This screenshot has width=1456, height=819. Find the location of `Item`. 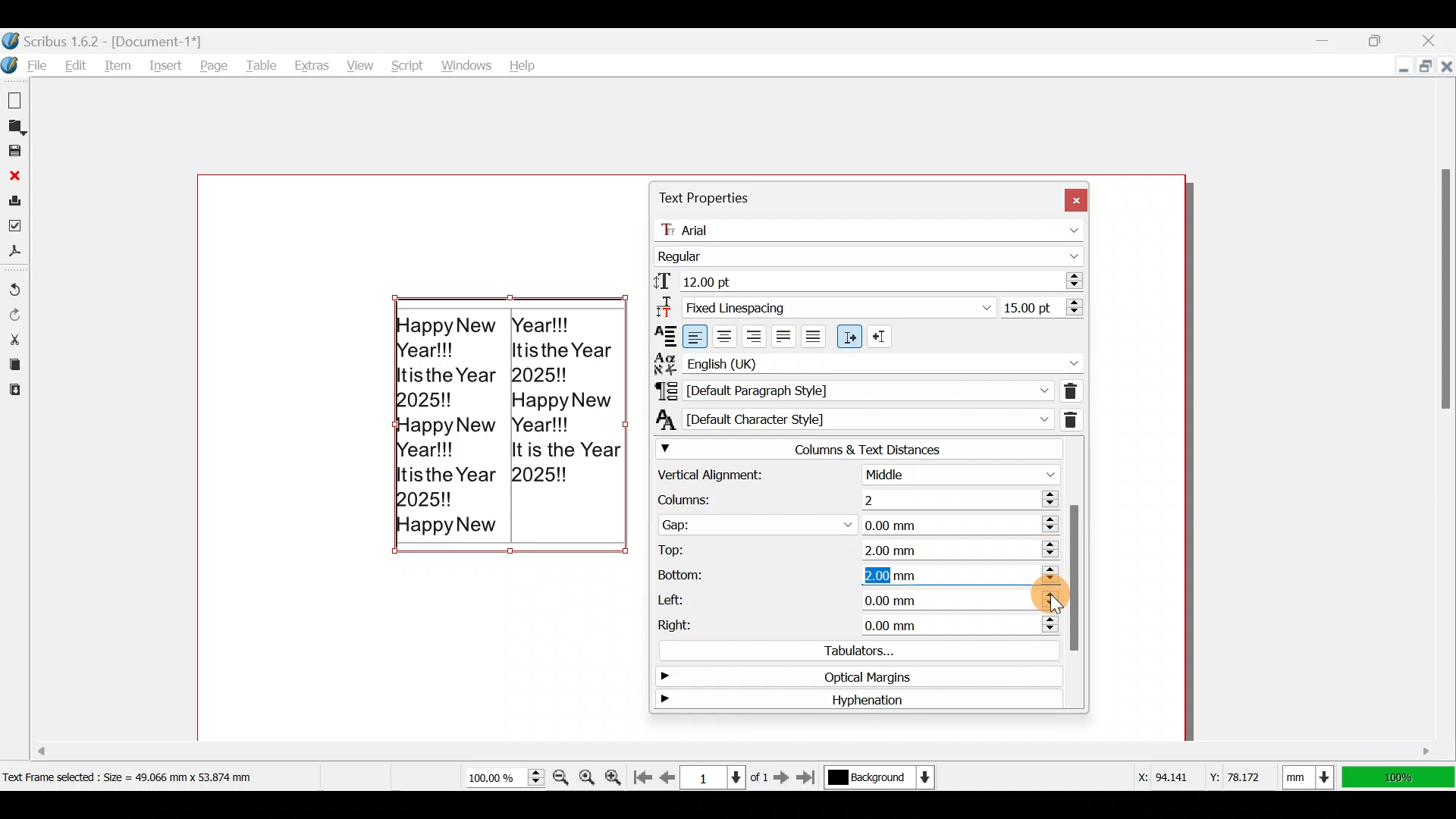

Item is located at coordinates (121, 65).